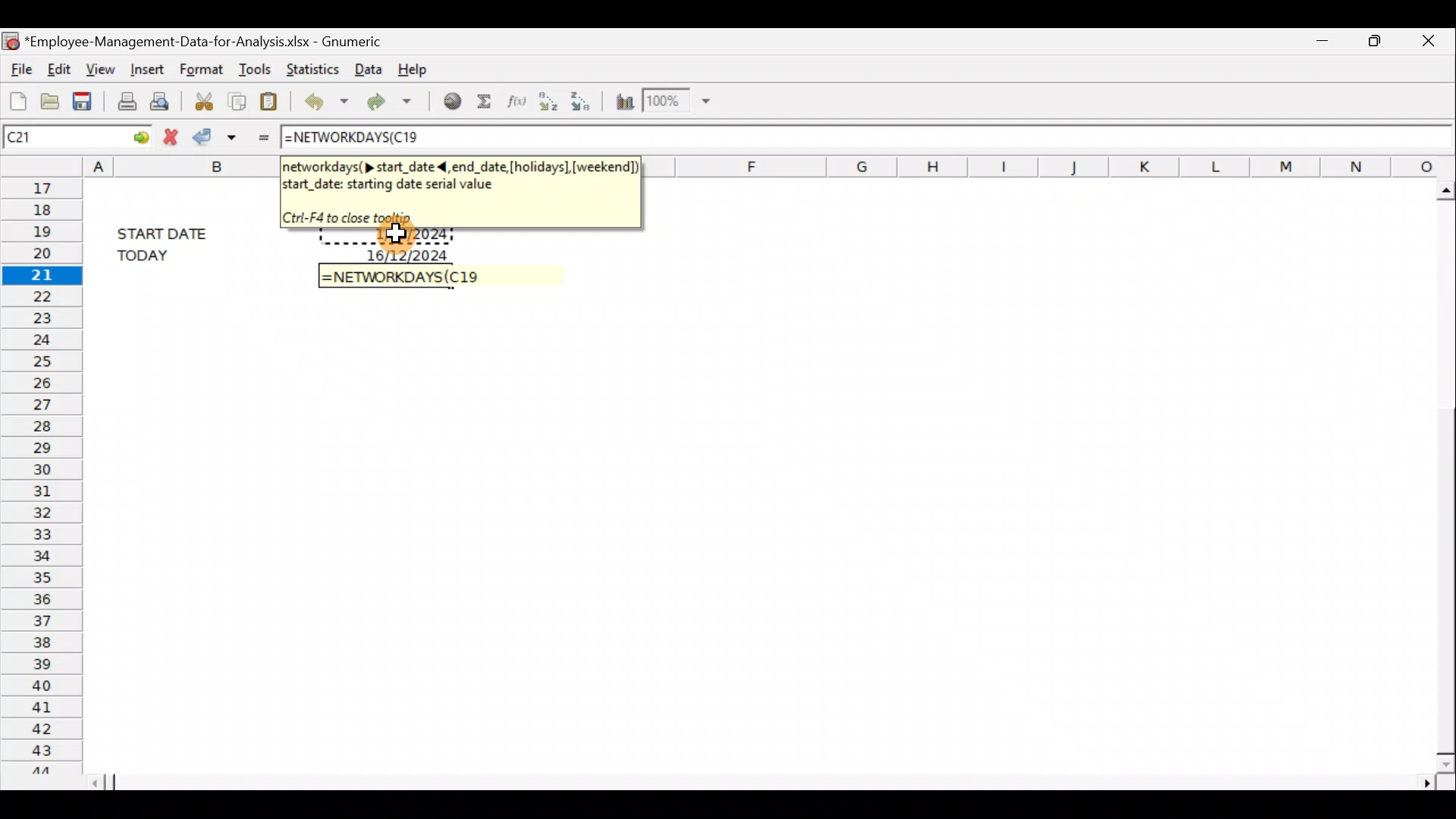 The height and width of the screenshot is (819, 1456). Describe the element at coordinates (403, 235) in the screenshot. I see `Cursor` at that location.